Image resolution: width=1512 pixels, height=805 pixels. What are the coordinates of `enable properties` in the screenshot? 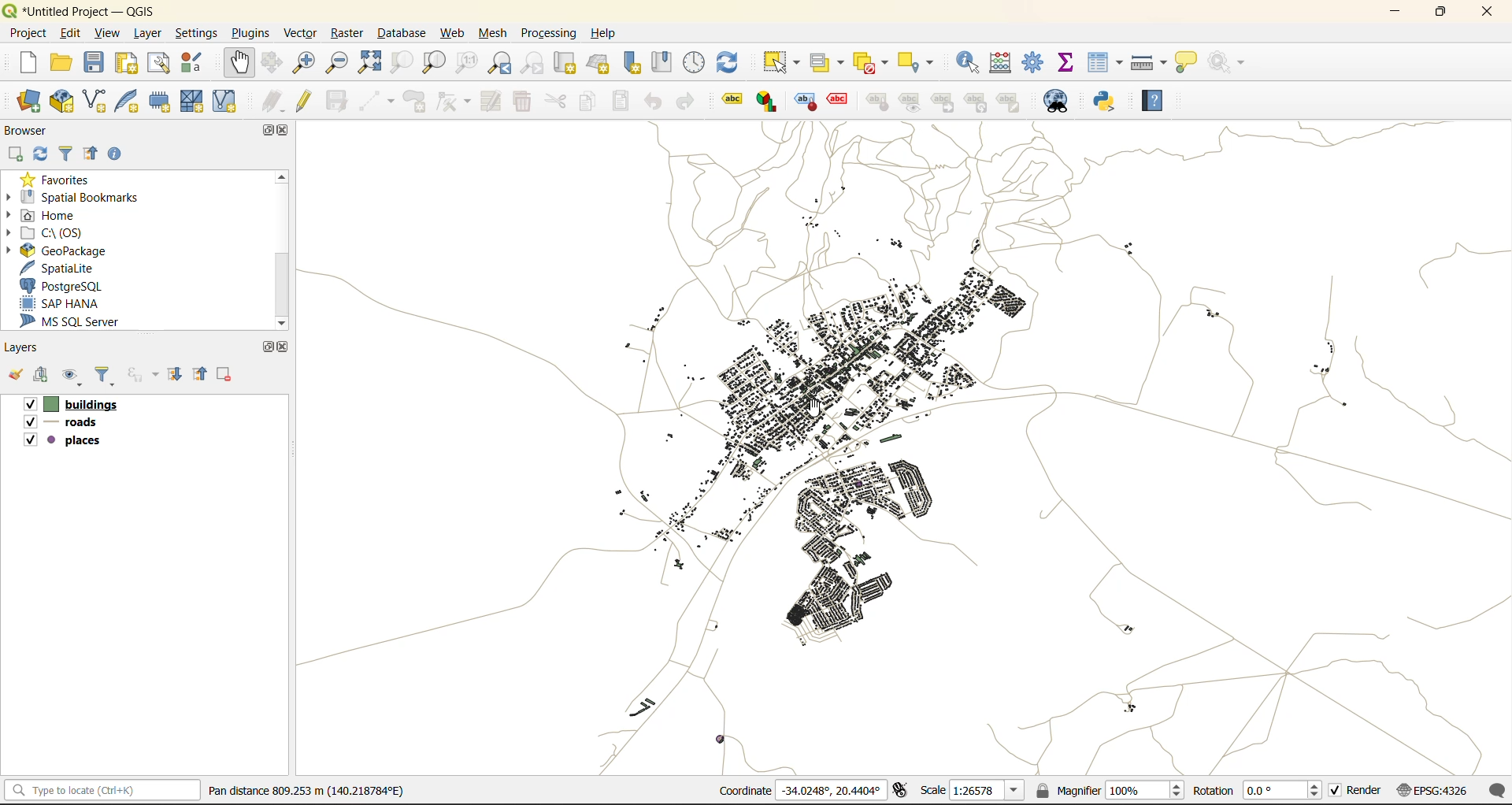 It's located at (116, 153).